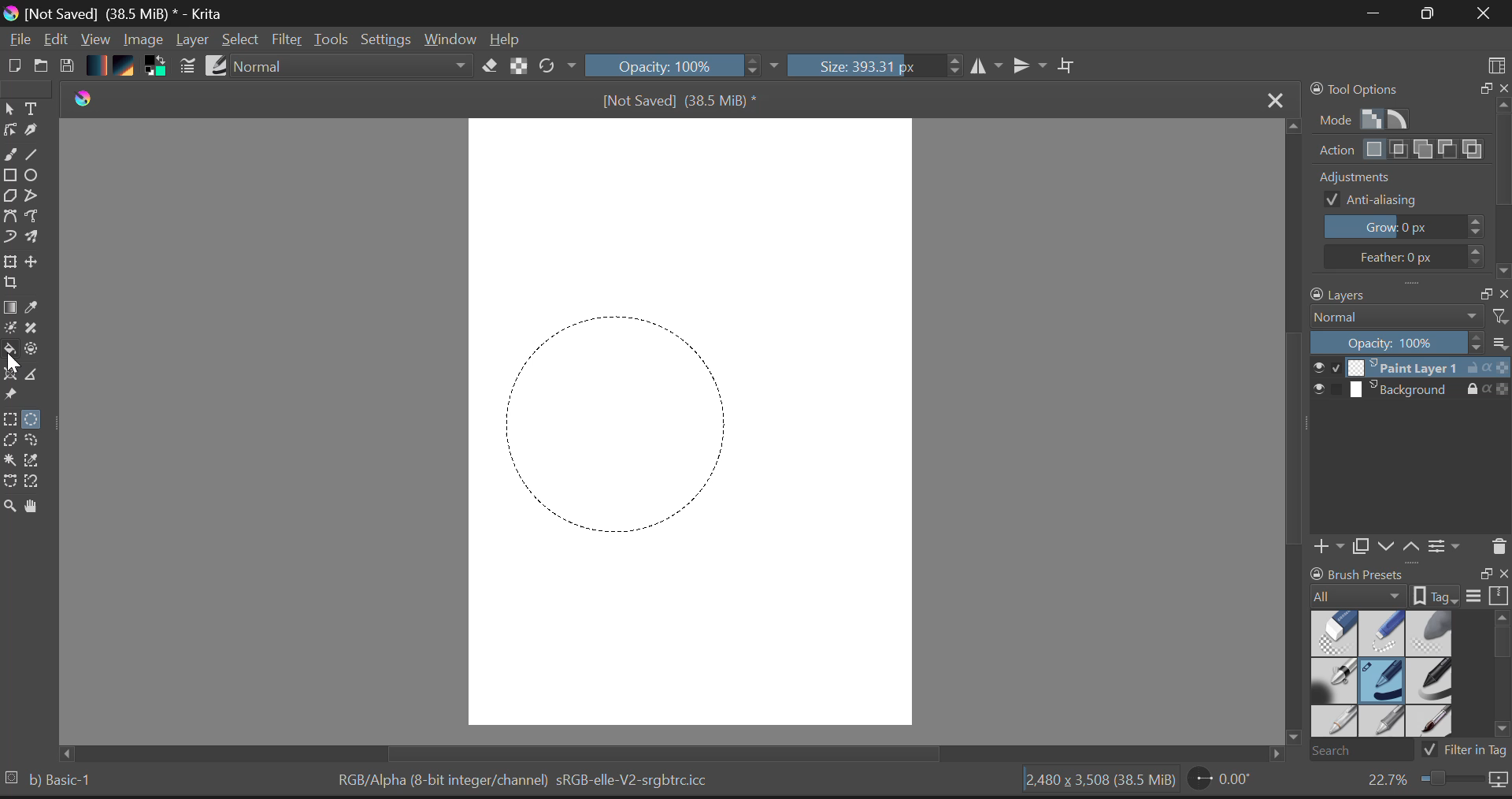  What do you see at coordinates (37, 157) in the screenshot?
I see `Line` at bounding box center [37, 157].